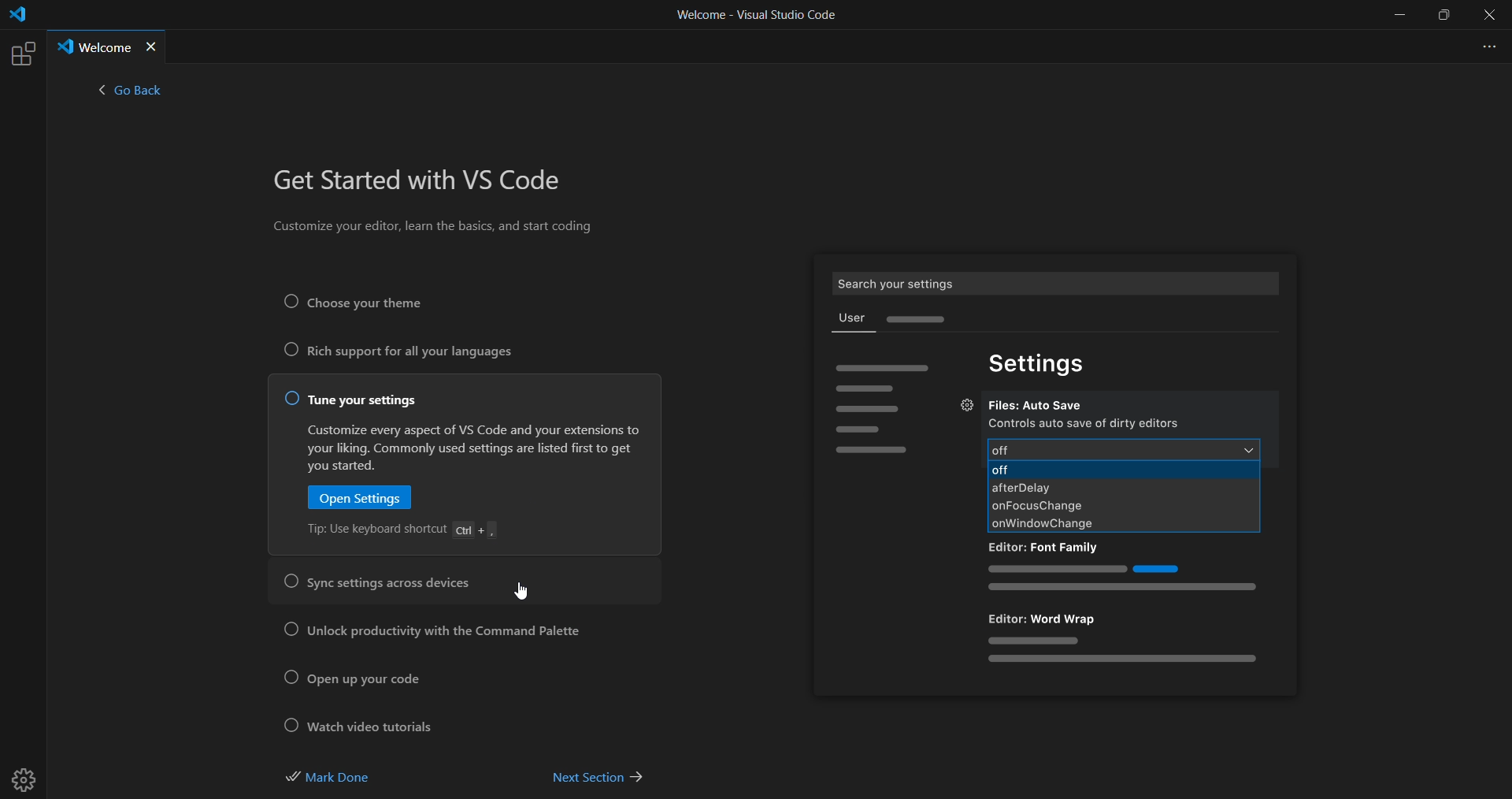 This screenshot has height=799, width=1512. I want to click on logo, so click(17, 17).